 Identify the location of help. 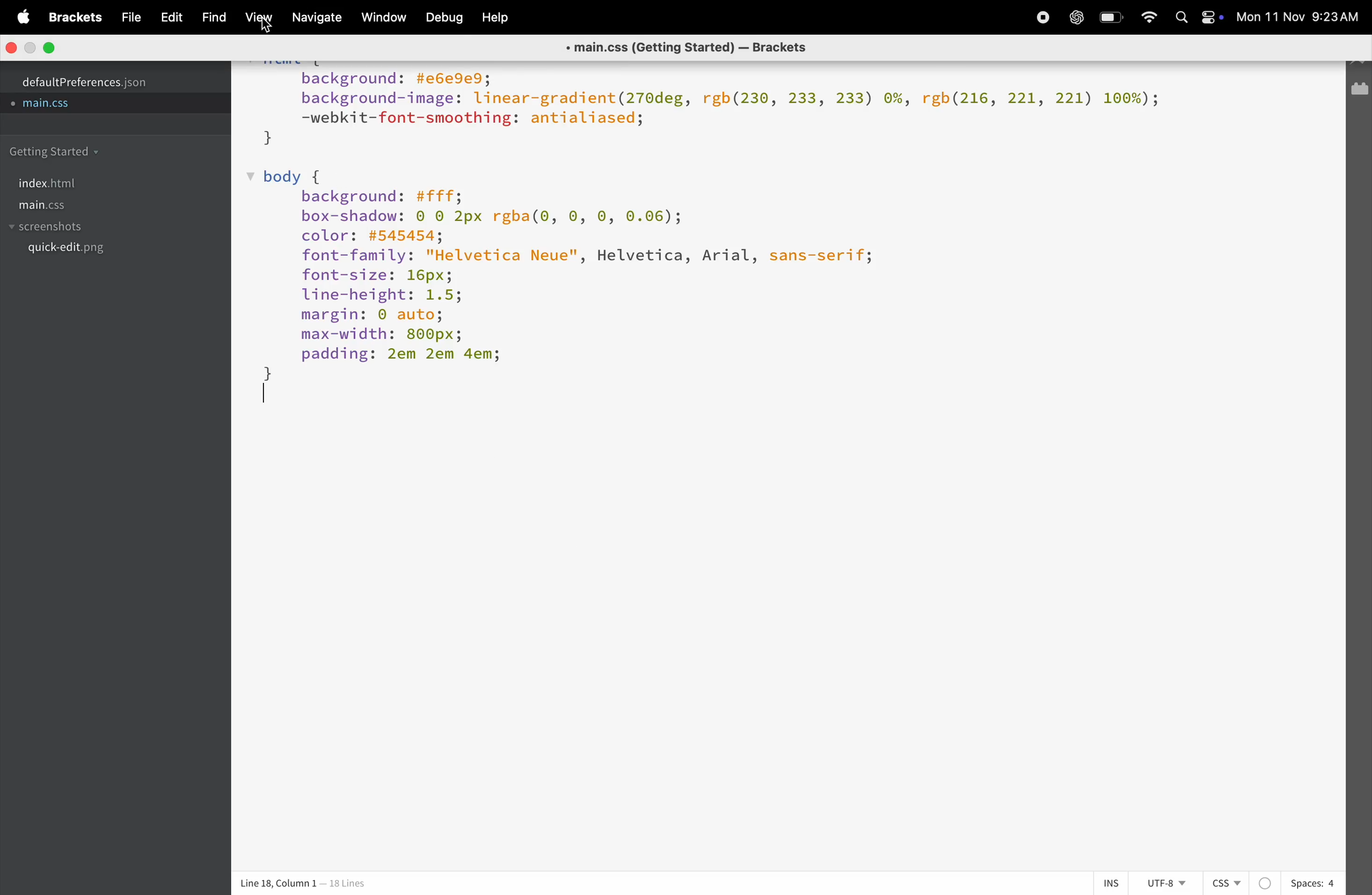
(496, 17).